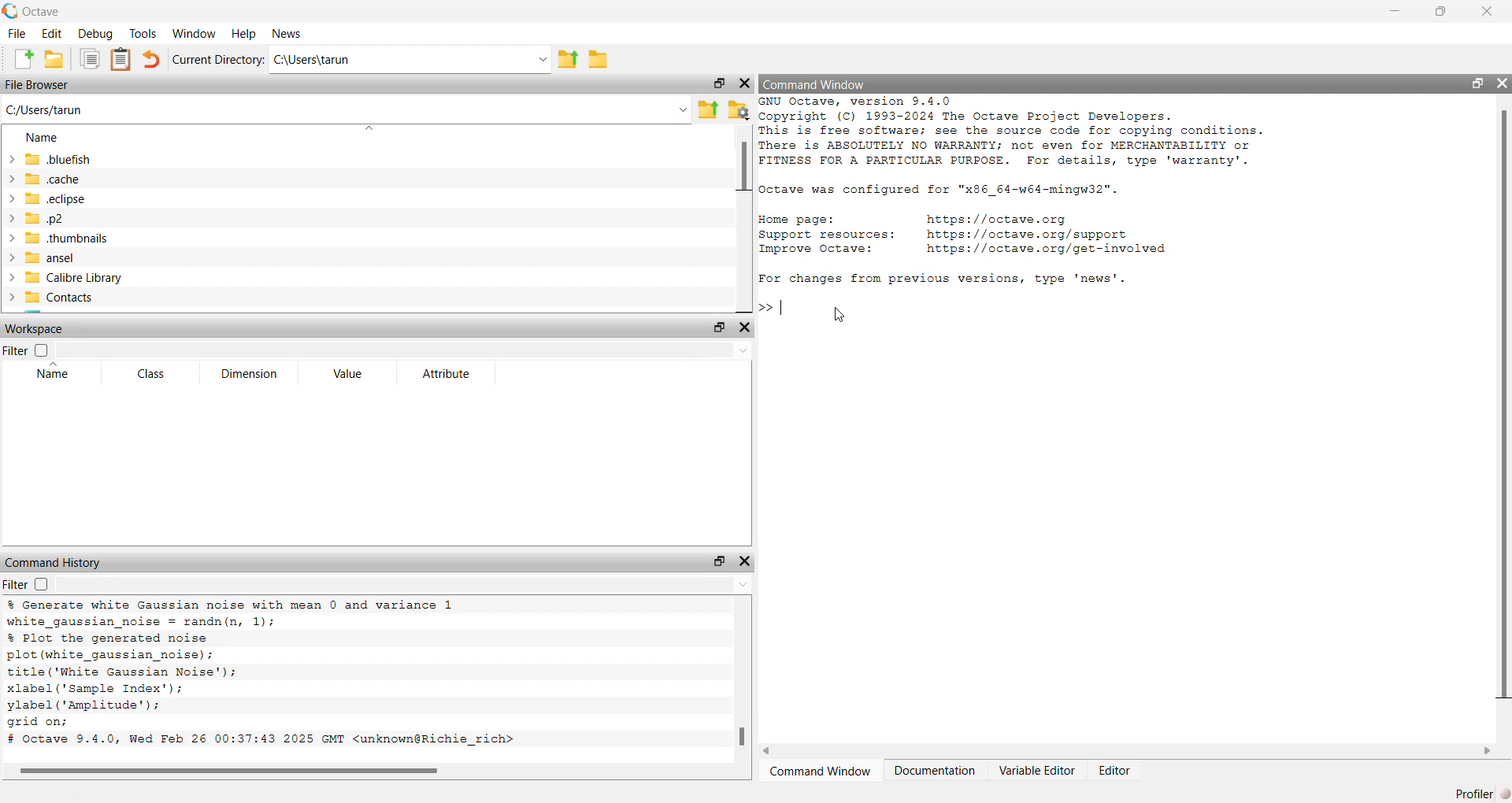  Describe the element at coordinates (1393, 13) in the screenshot. I see `minimize` at that location.